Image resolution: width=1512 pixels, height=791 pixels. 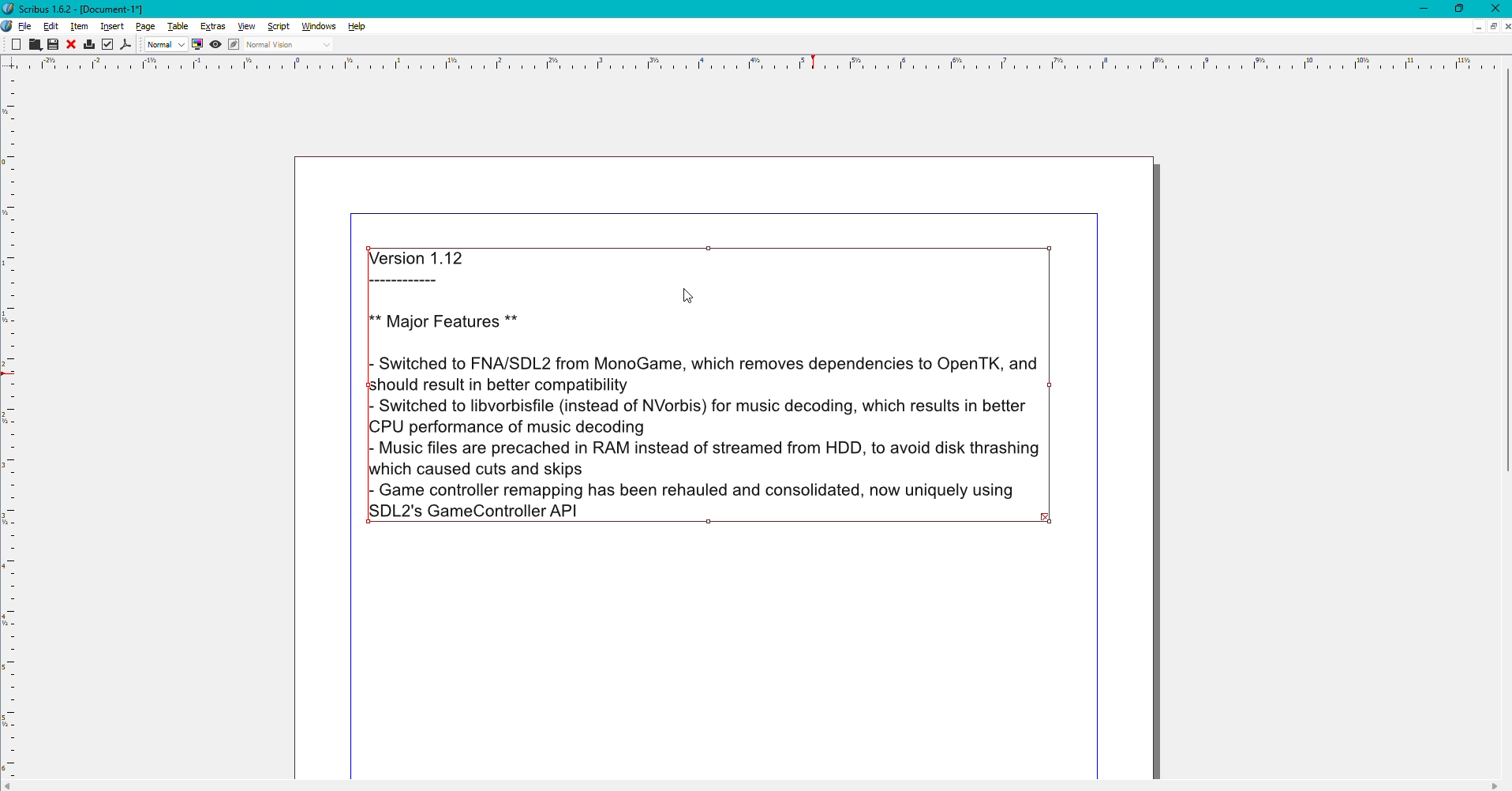 I want to click on Insert, so click(x=113, y=26).